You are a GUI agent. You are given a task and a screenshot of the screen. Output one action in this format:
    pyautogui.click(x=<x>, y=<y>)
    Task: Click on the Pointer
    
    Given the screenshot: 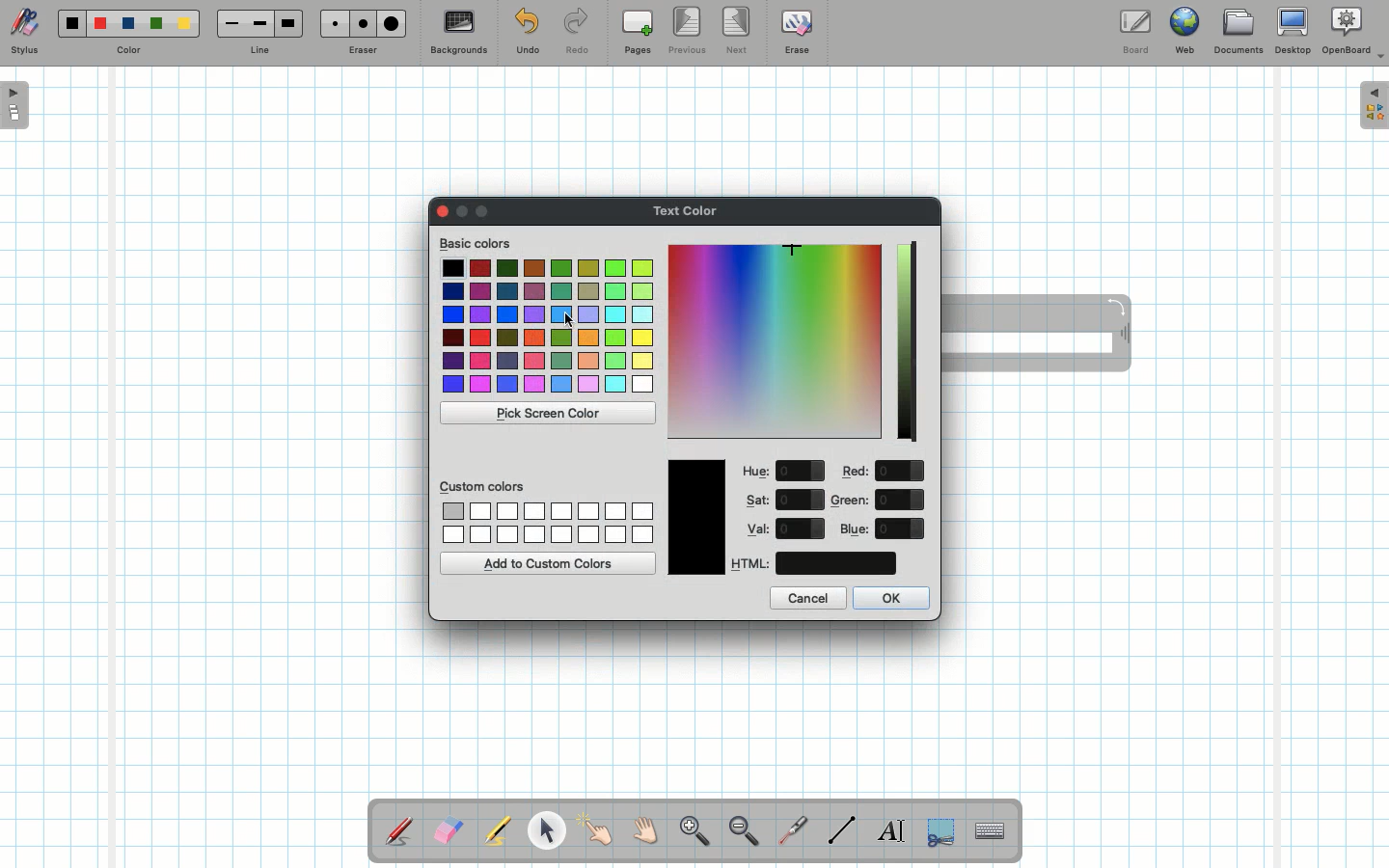 What is the action you would take?
    pyautogui.click(x=546, y=830)
    